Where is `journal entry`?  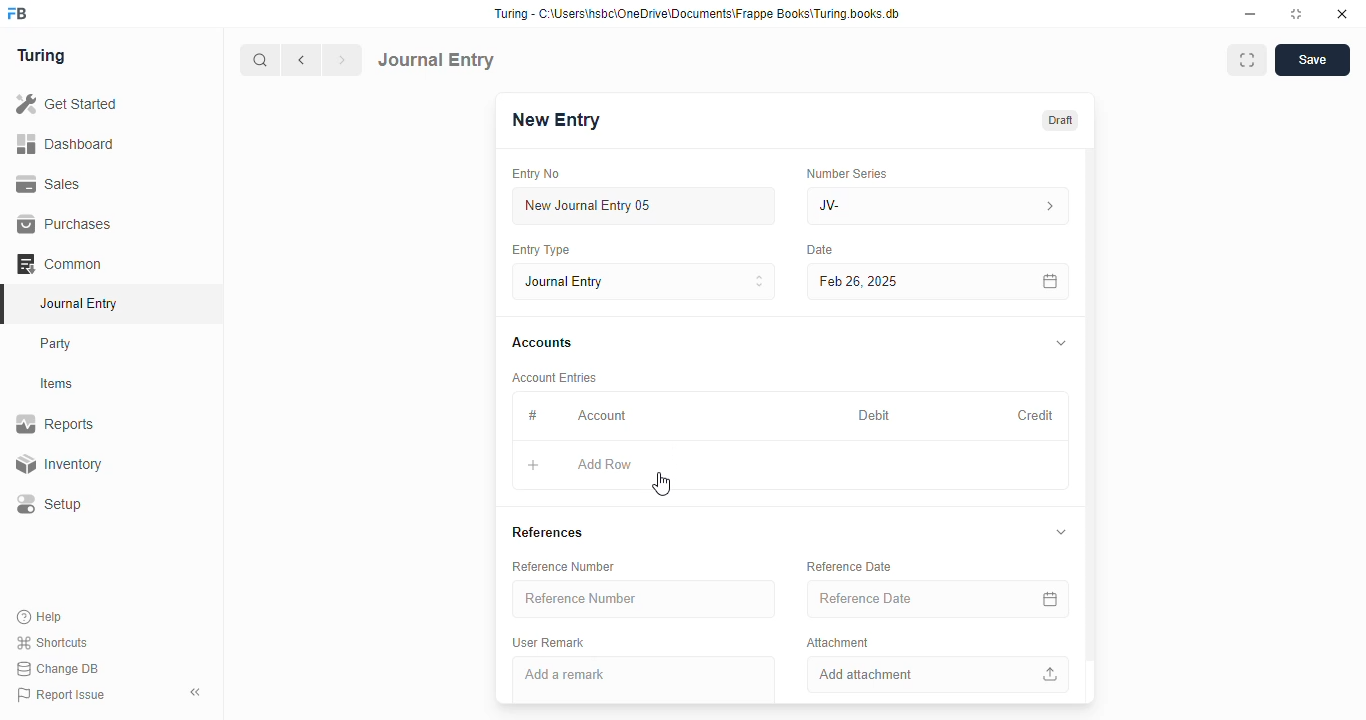 journal entry is located at coordinates (78, 303).